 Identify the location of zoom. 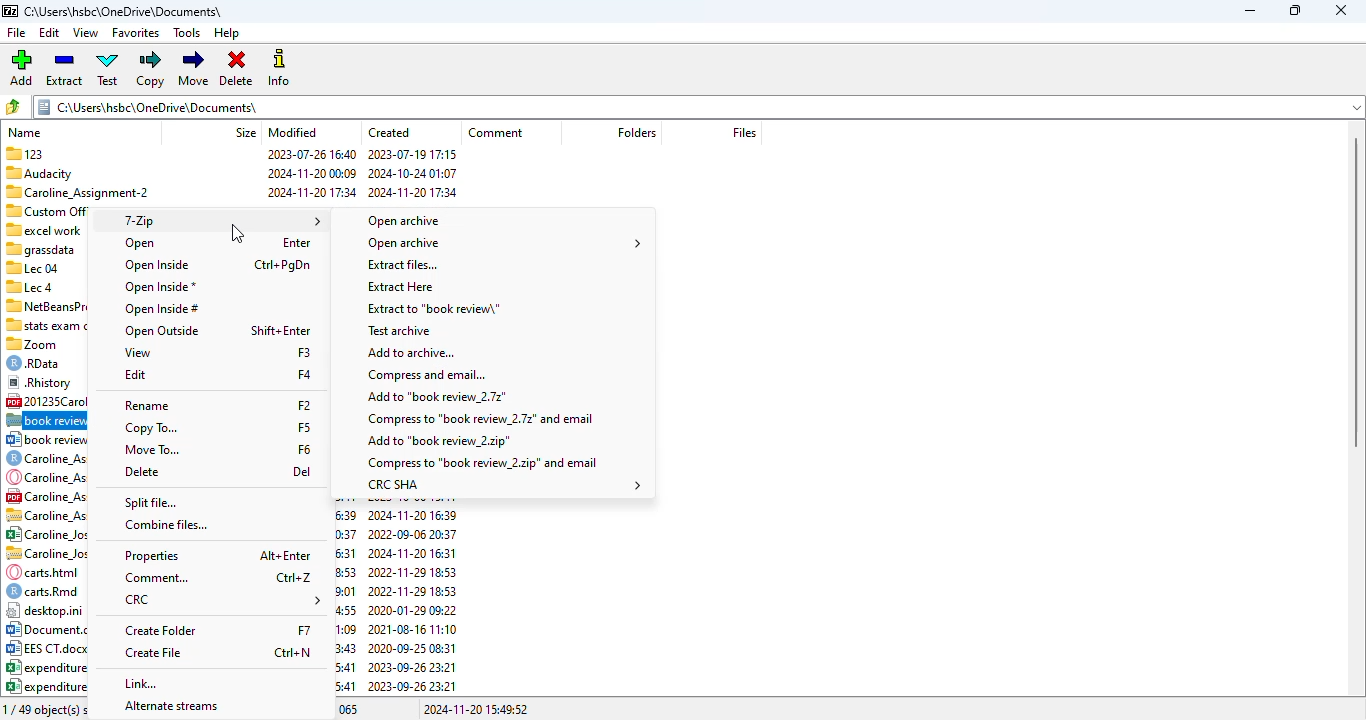
(36, 343).